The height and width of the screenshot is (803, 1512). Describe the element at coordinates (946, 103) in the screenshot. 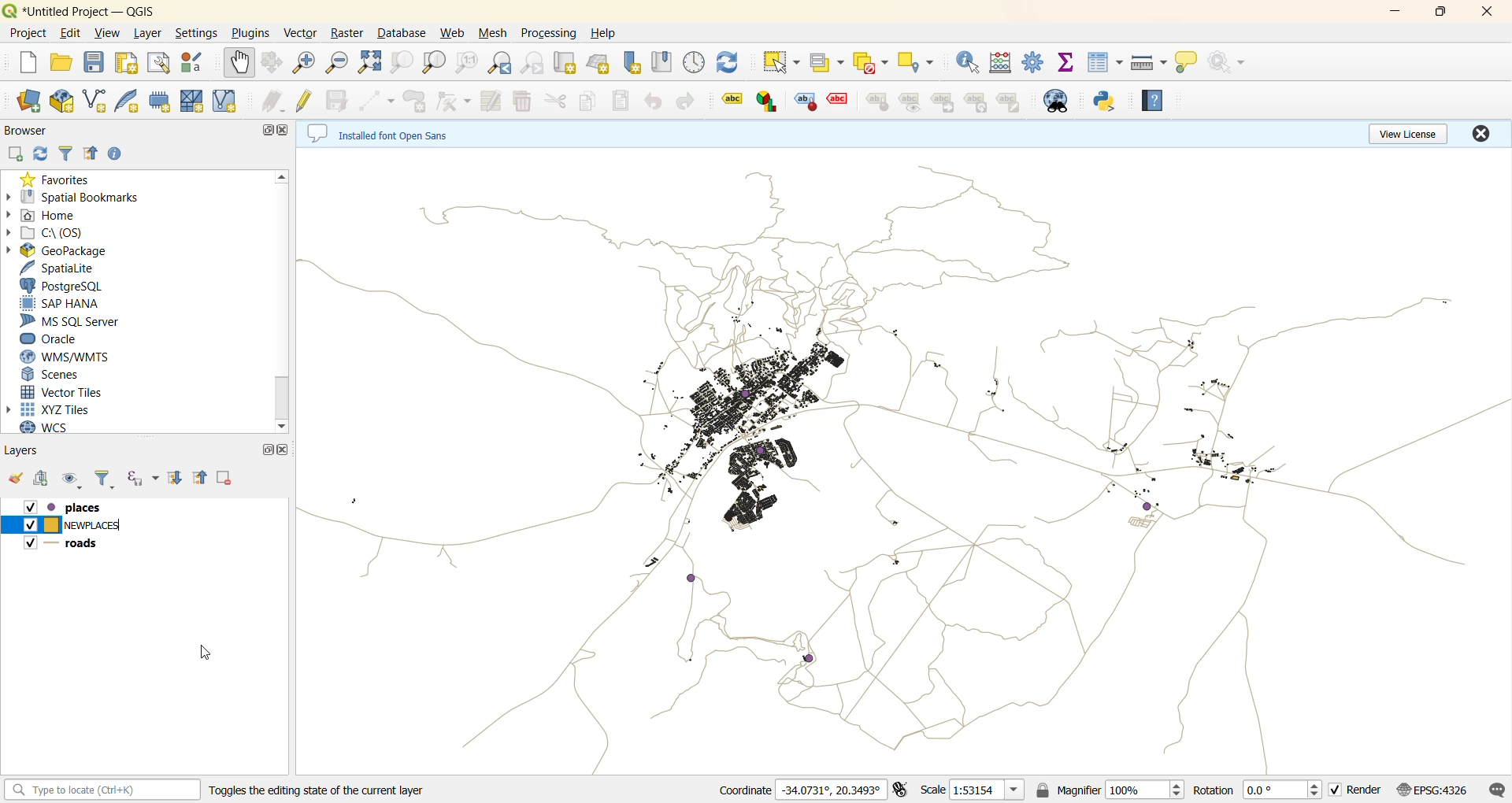

I see `linked label` at that location.